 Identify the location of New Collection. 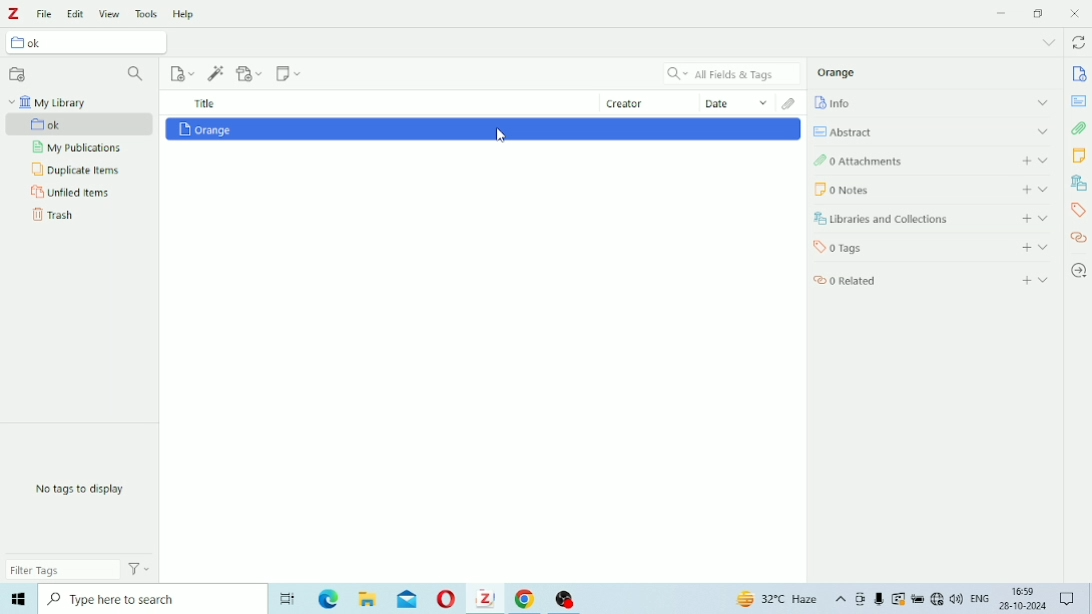
(18, 75).